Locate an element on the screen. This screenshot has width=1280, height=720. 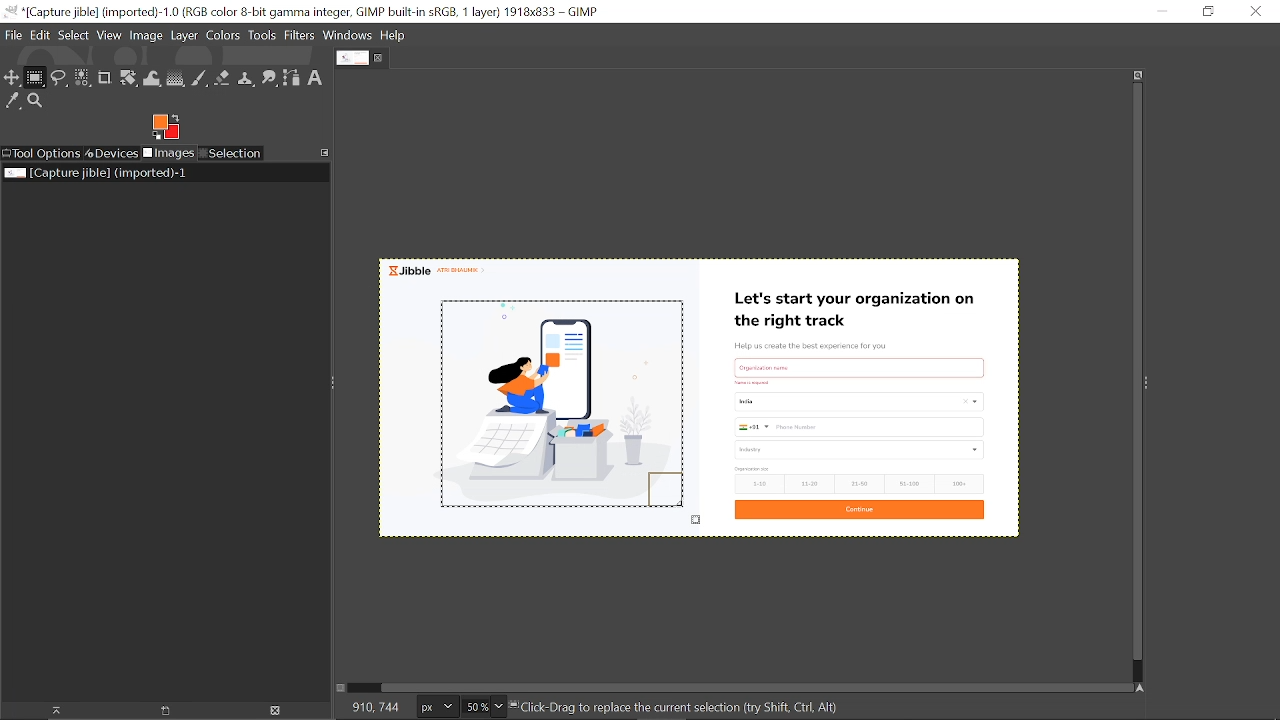
View is located at coordinates (110, 35).